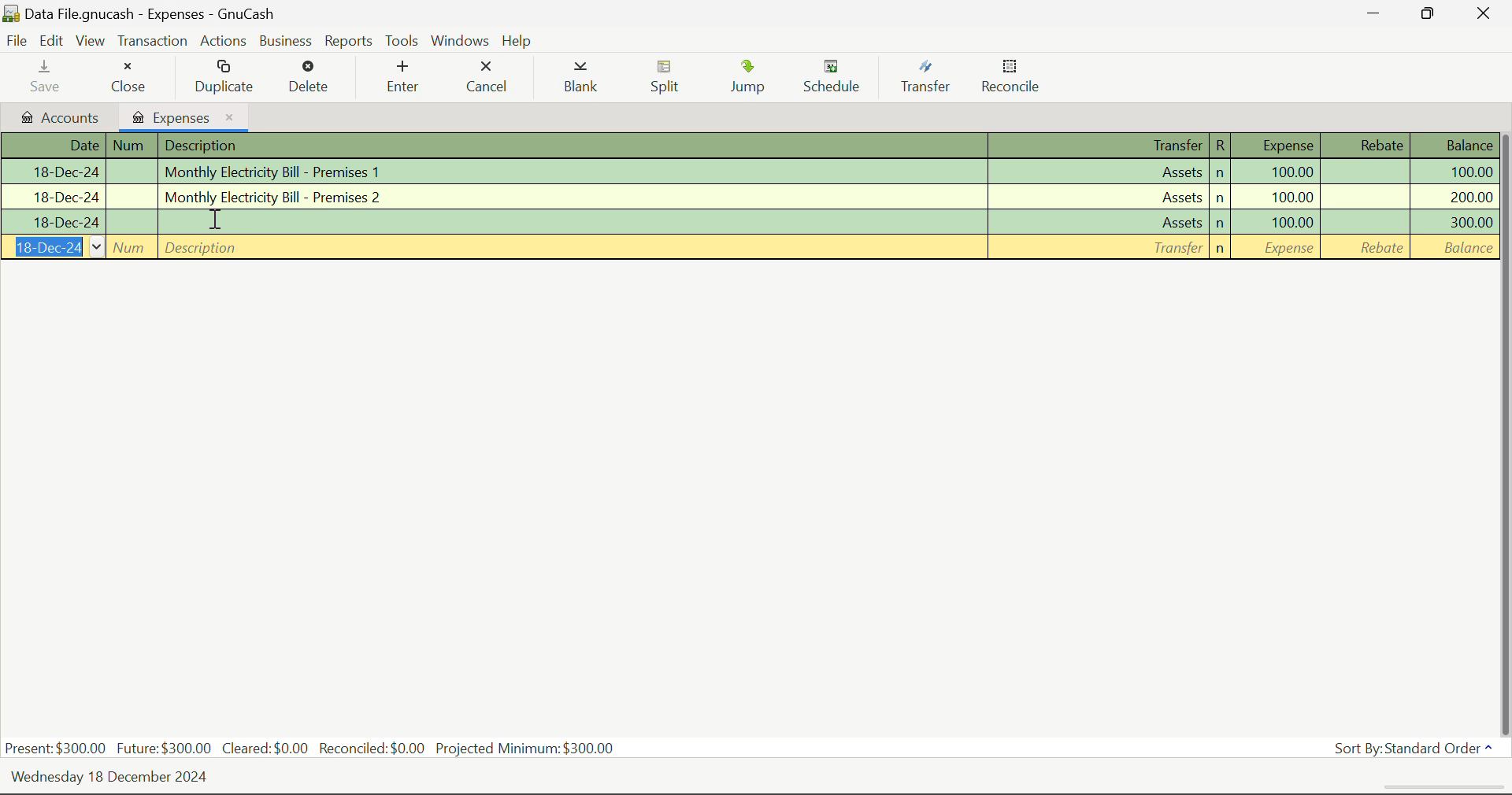  What do you see at coordinates (1484, 14) in the screenshot?
I see `Close Window` at bounding box center [1484, 14].